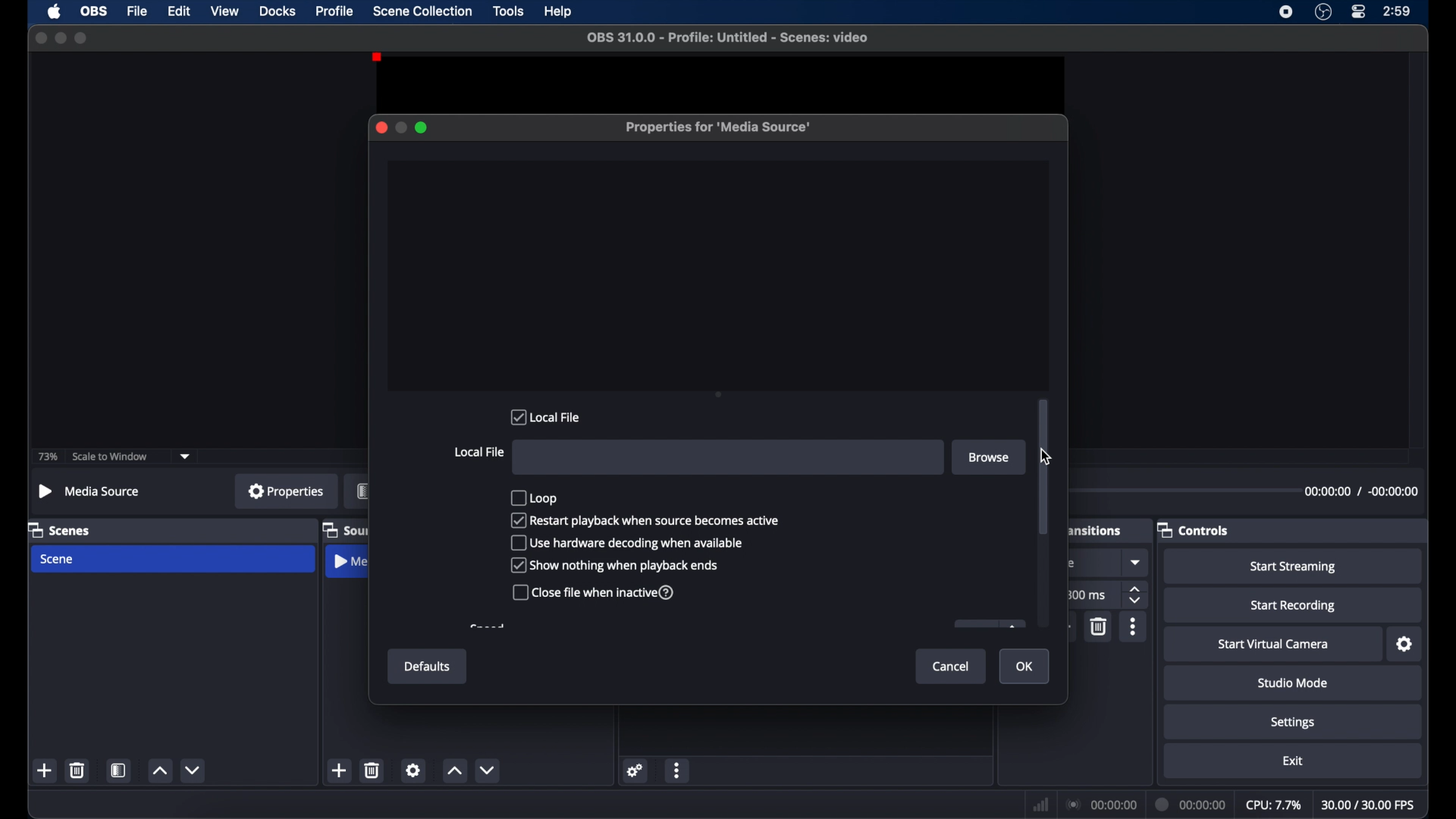  I want to click on minimize, so click(400, 127).